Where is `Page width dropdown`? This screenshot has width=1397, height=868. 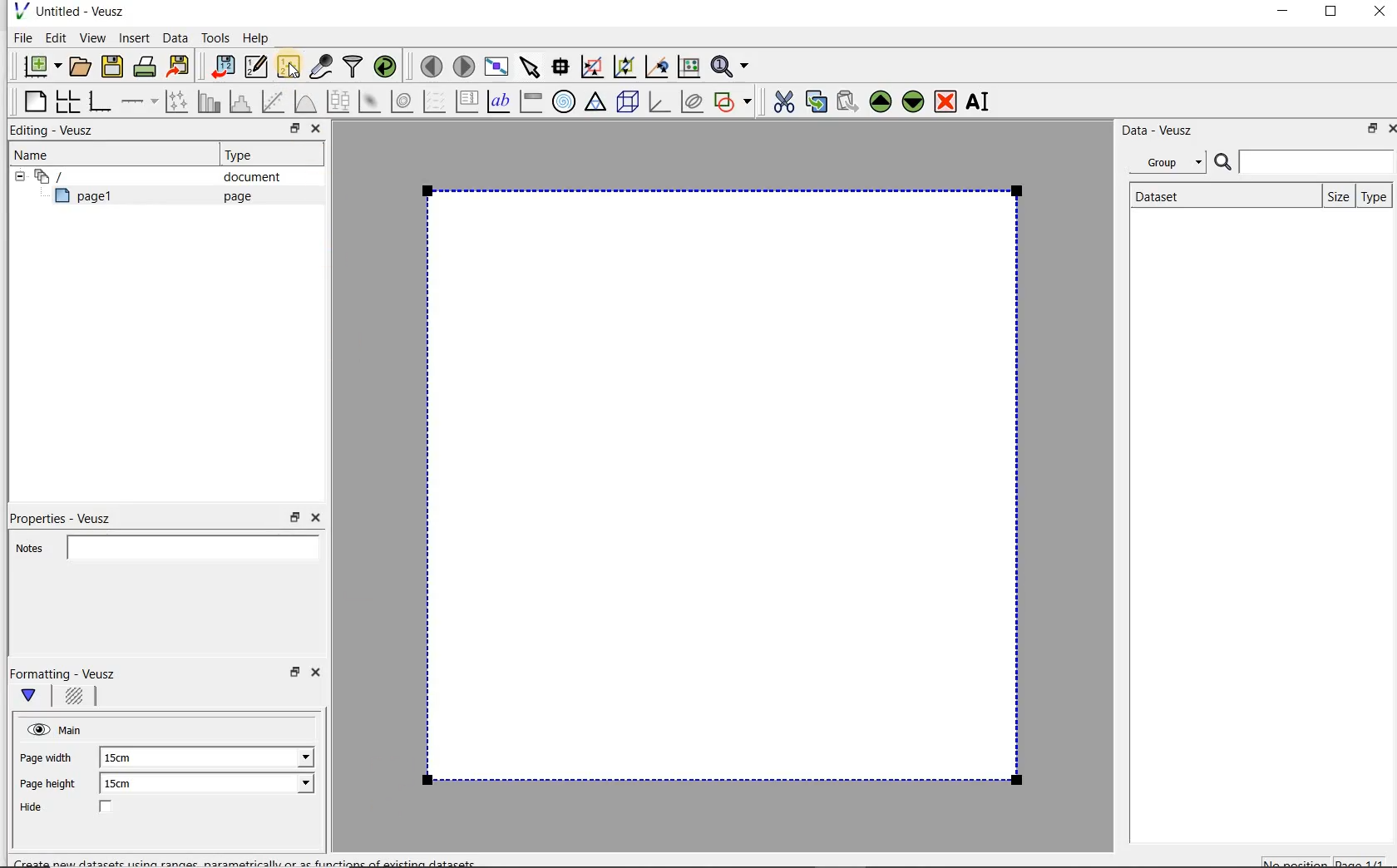
Page width dropdown is located at coordinates (287, 757).